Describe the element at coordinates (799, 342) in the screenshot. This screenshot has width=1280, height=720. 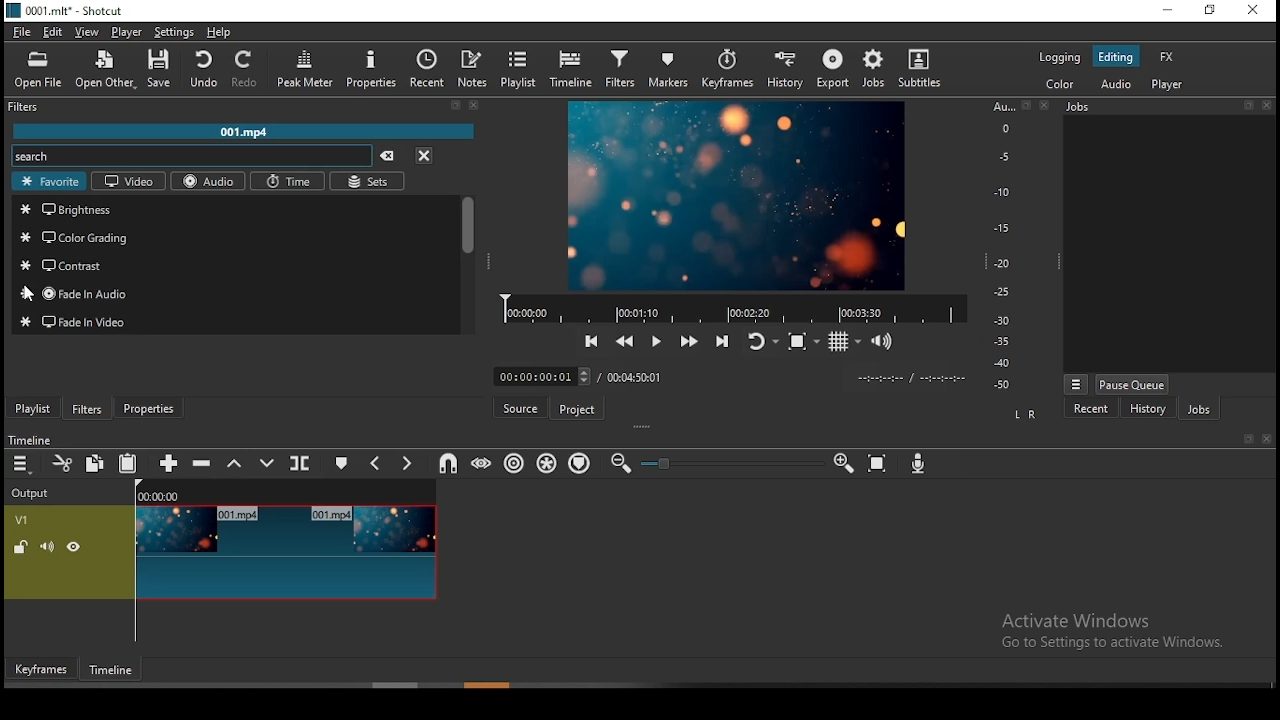
I see `toggle zoom` at that location.